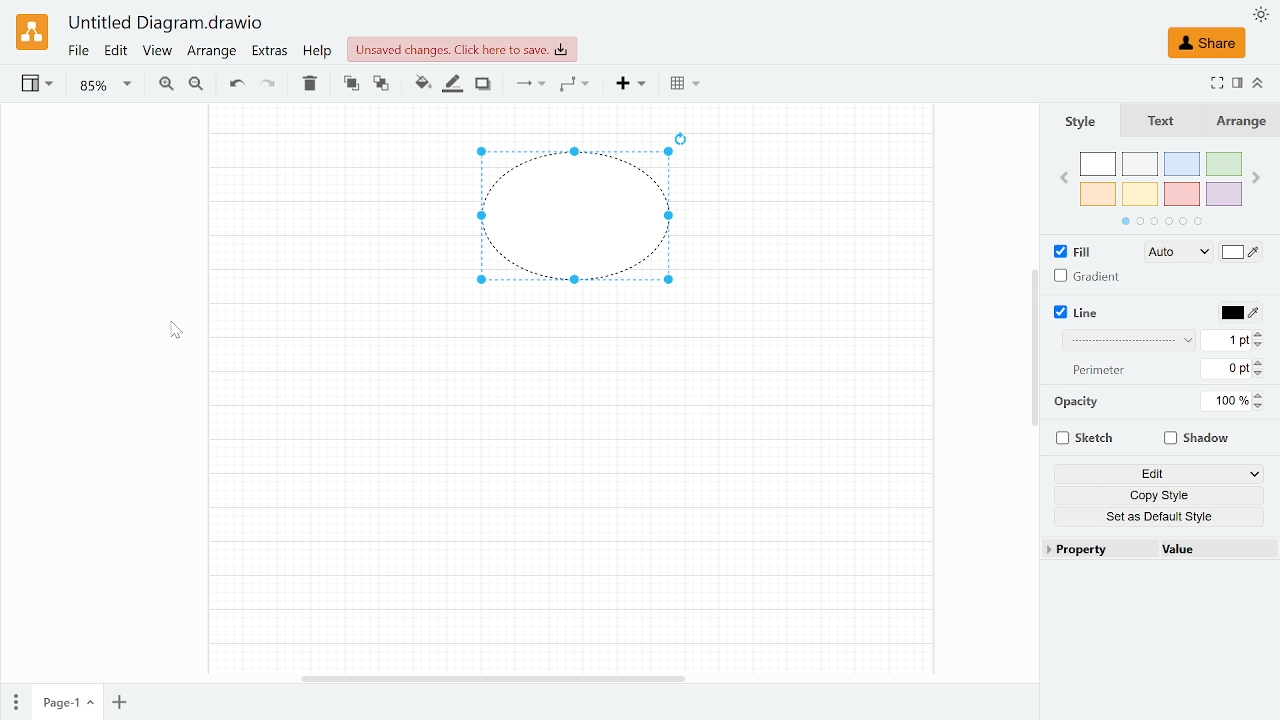 The image size is (1280, 720). Describe the element at coordinates (1084, 440) in the screenshot. I see `Sketch` at that location.